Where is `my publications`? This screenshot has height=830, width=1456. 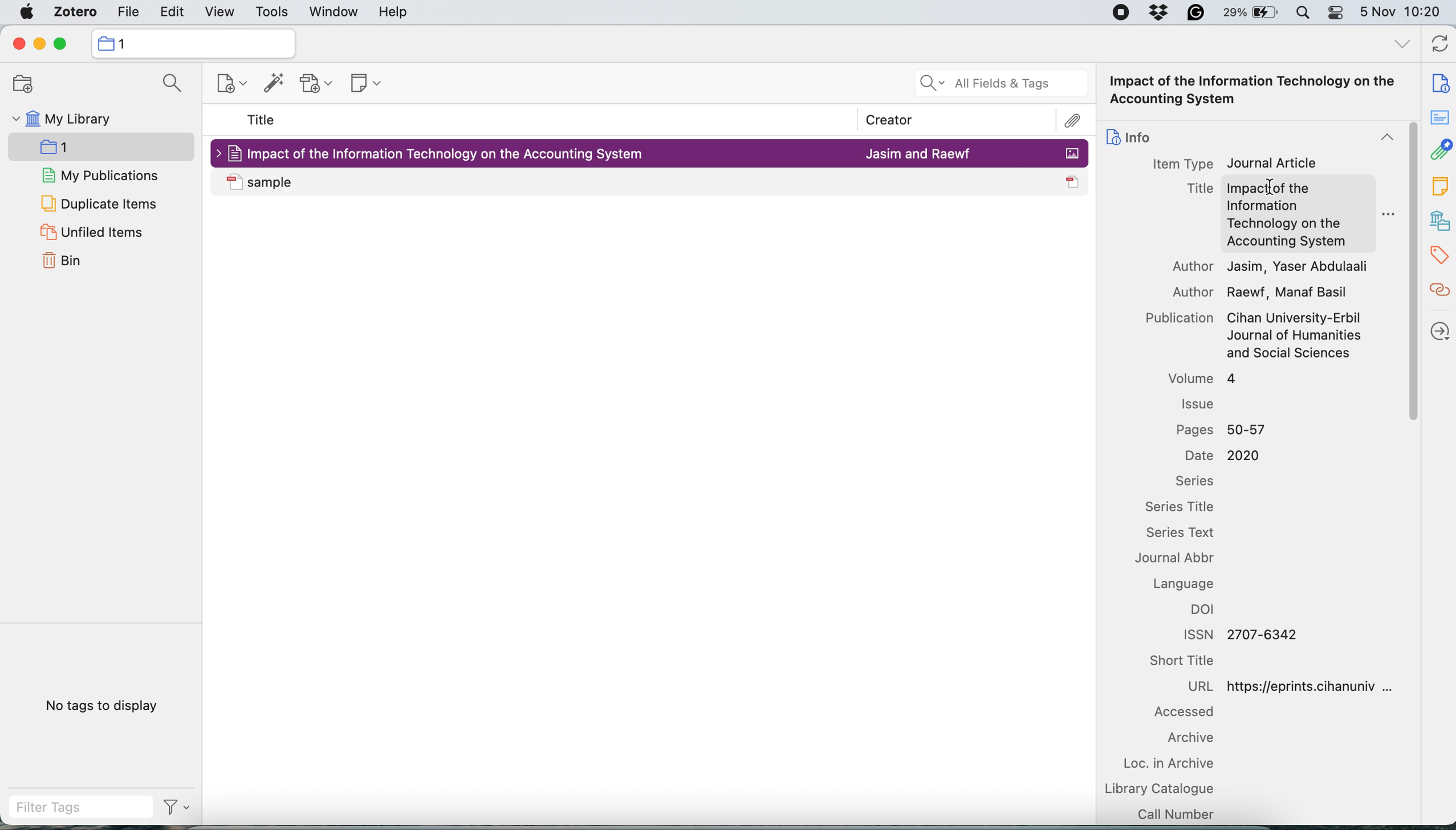 my publications is located at coordinates (100, 175).